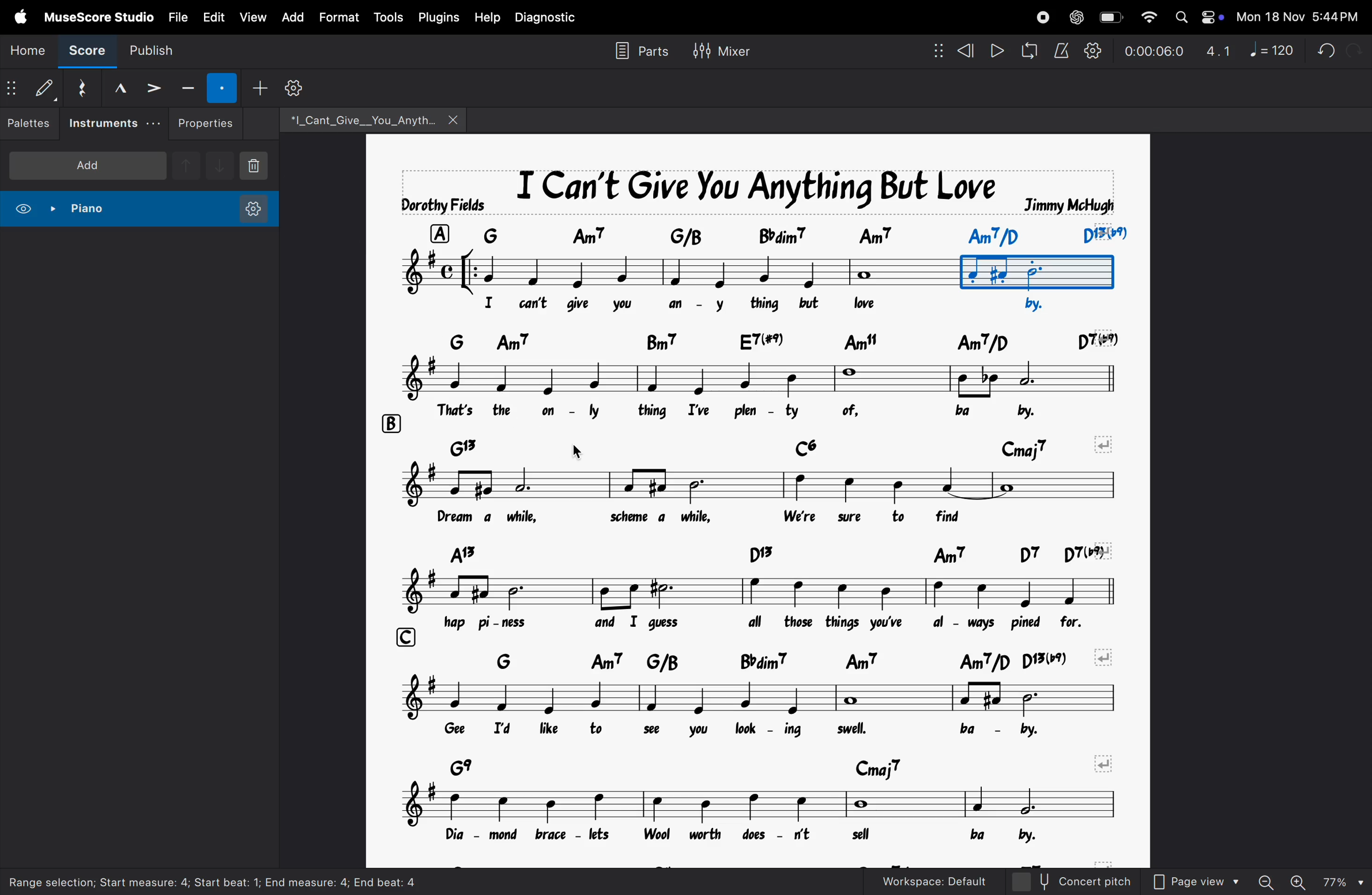 The height and width of the screenshot is (895, 1372). I want to click on rows, so click(390, 422).